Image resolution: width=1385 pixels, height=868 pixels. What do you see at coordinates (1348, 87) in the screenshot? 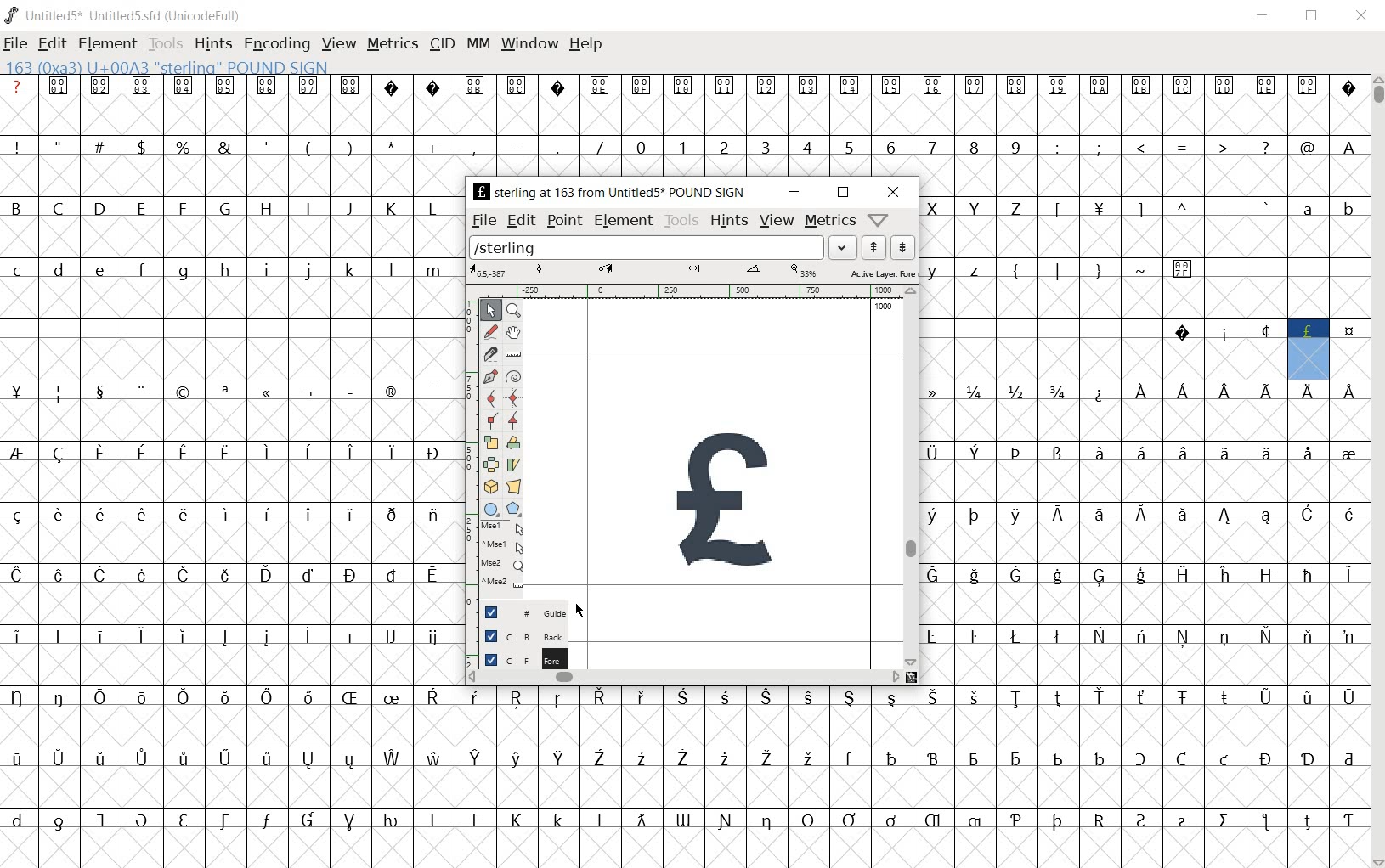
I see `Symbol` at bounding box center [1348, 87].